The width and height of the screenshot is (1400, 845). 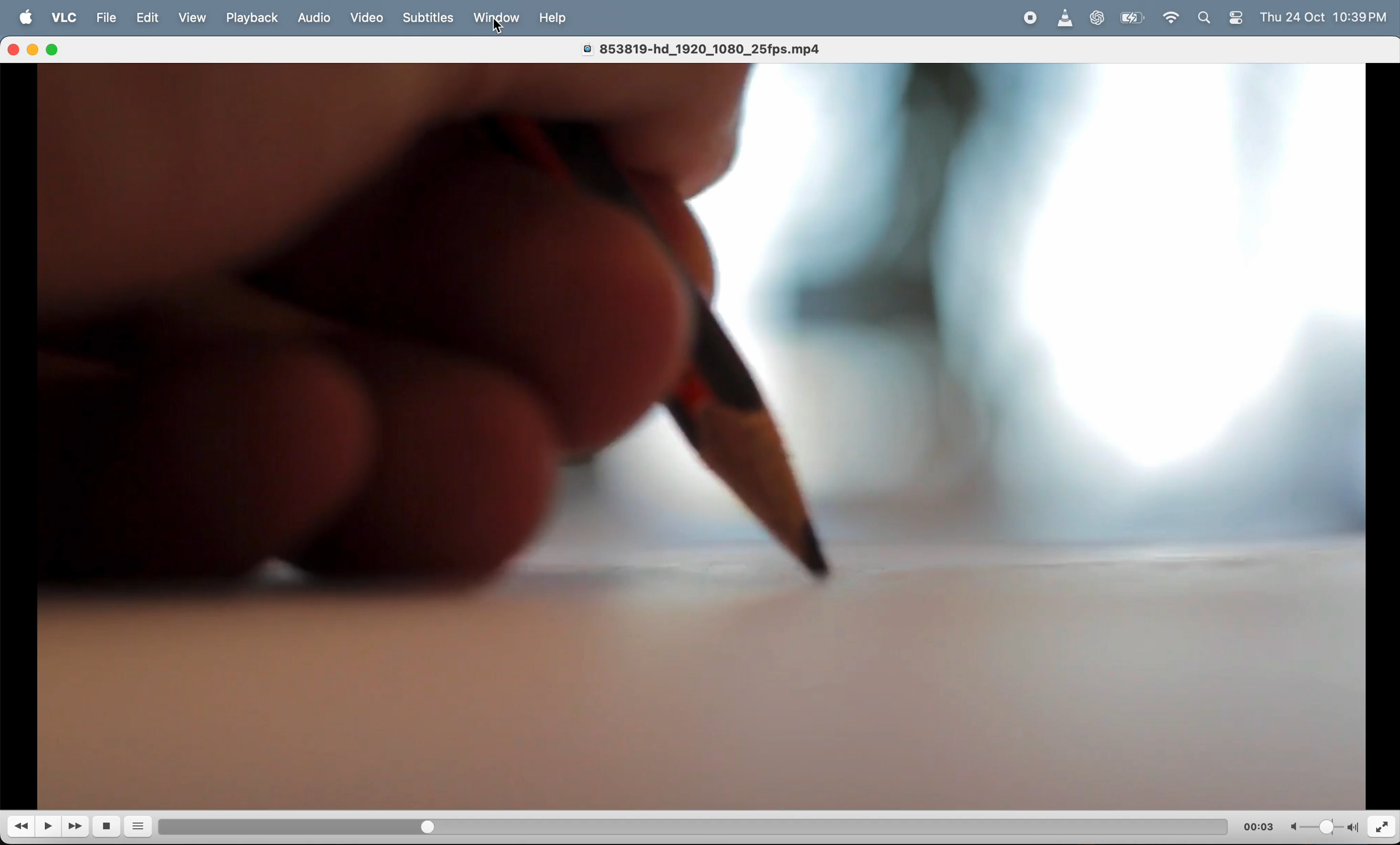 I want to click on , so click(x=1382, y=826).